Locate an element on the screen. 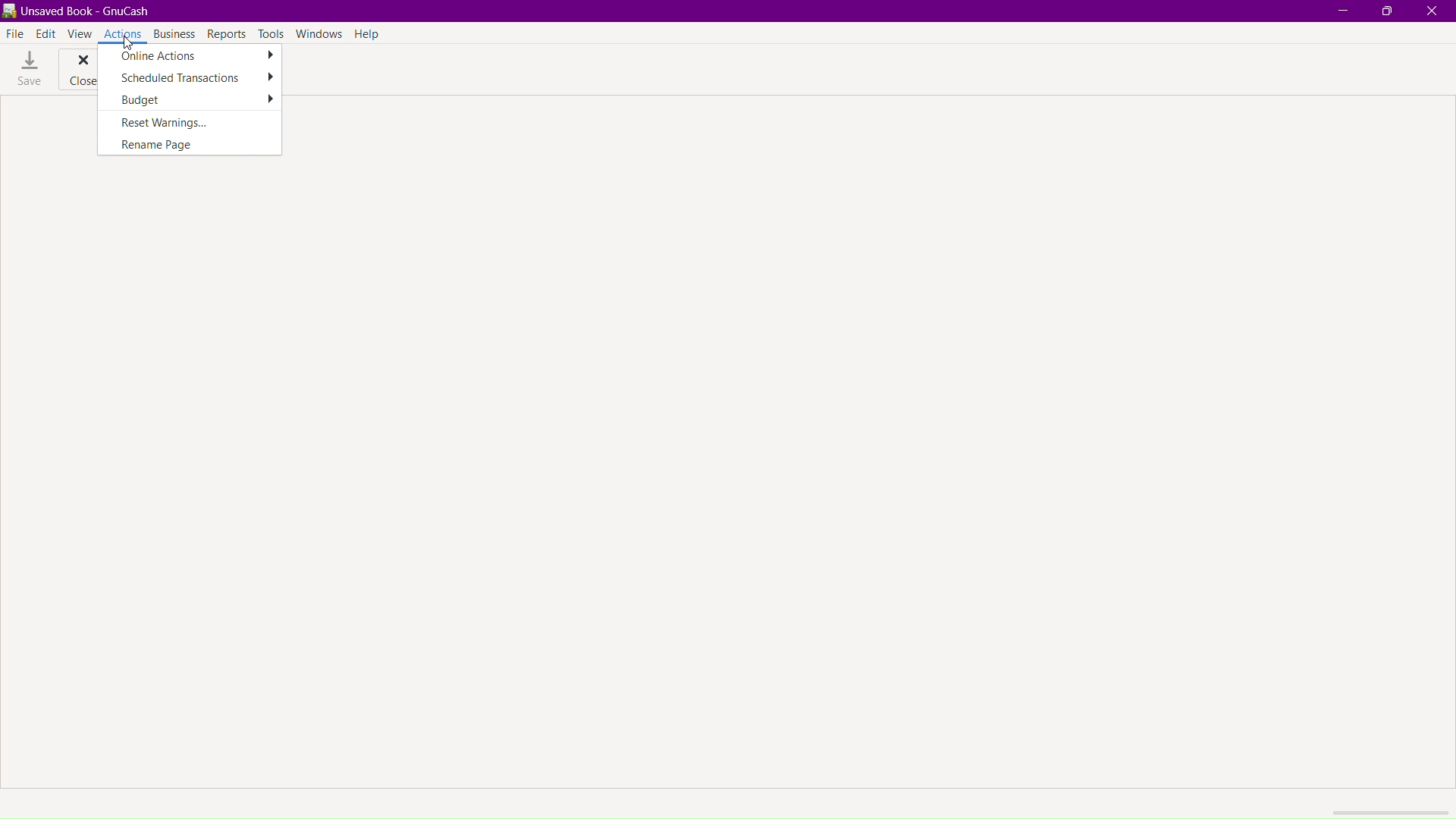 The height and width of the screenshot is (819, 1456). Maximize is located at coordinates (1384, 11).